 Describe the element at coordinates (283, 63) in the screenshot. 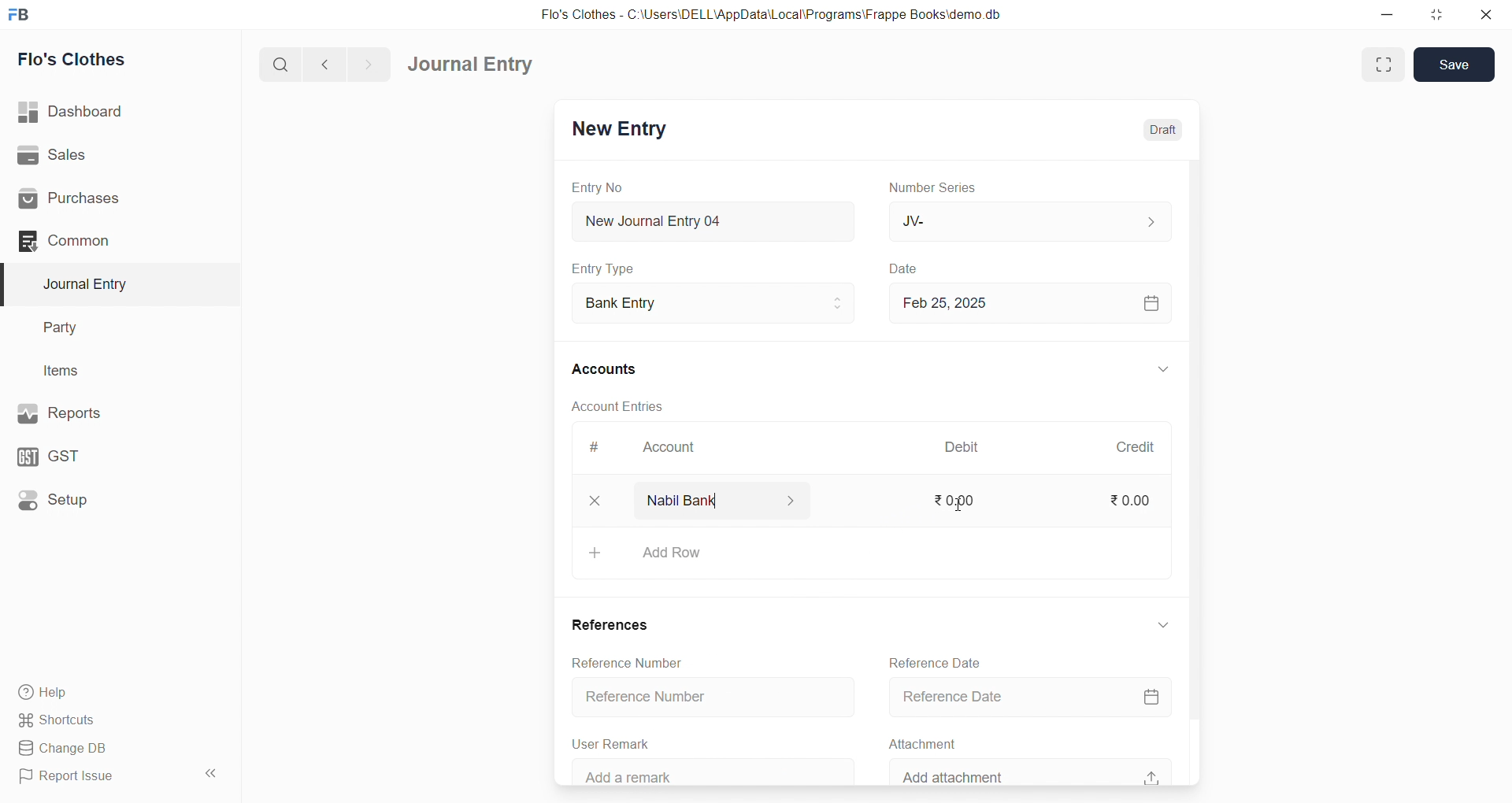

I see `search` at that location.